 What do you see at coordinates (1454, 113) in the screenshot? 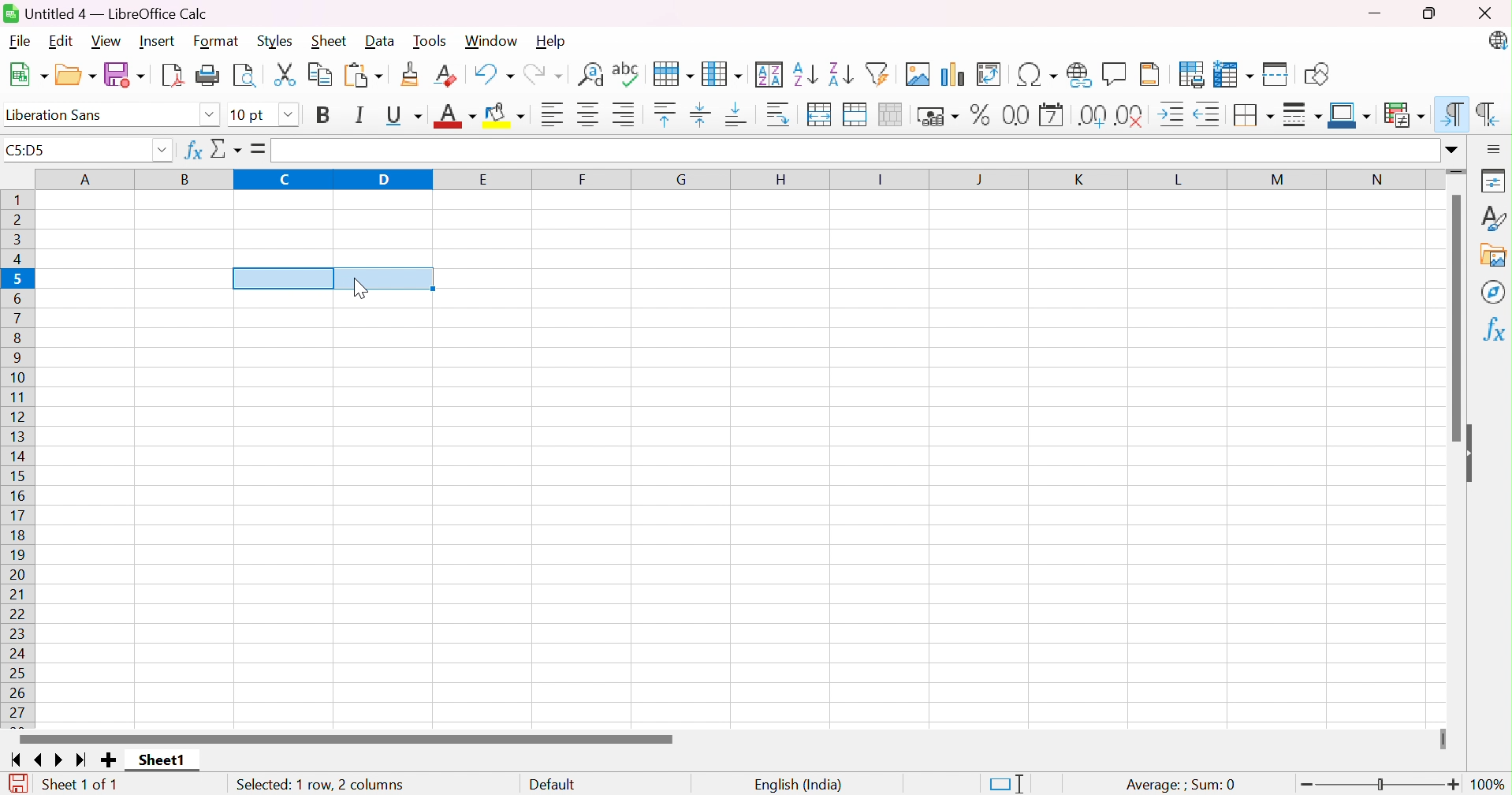
I see `Left-To-Right` at bounding box center [1454, 113].